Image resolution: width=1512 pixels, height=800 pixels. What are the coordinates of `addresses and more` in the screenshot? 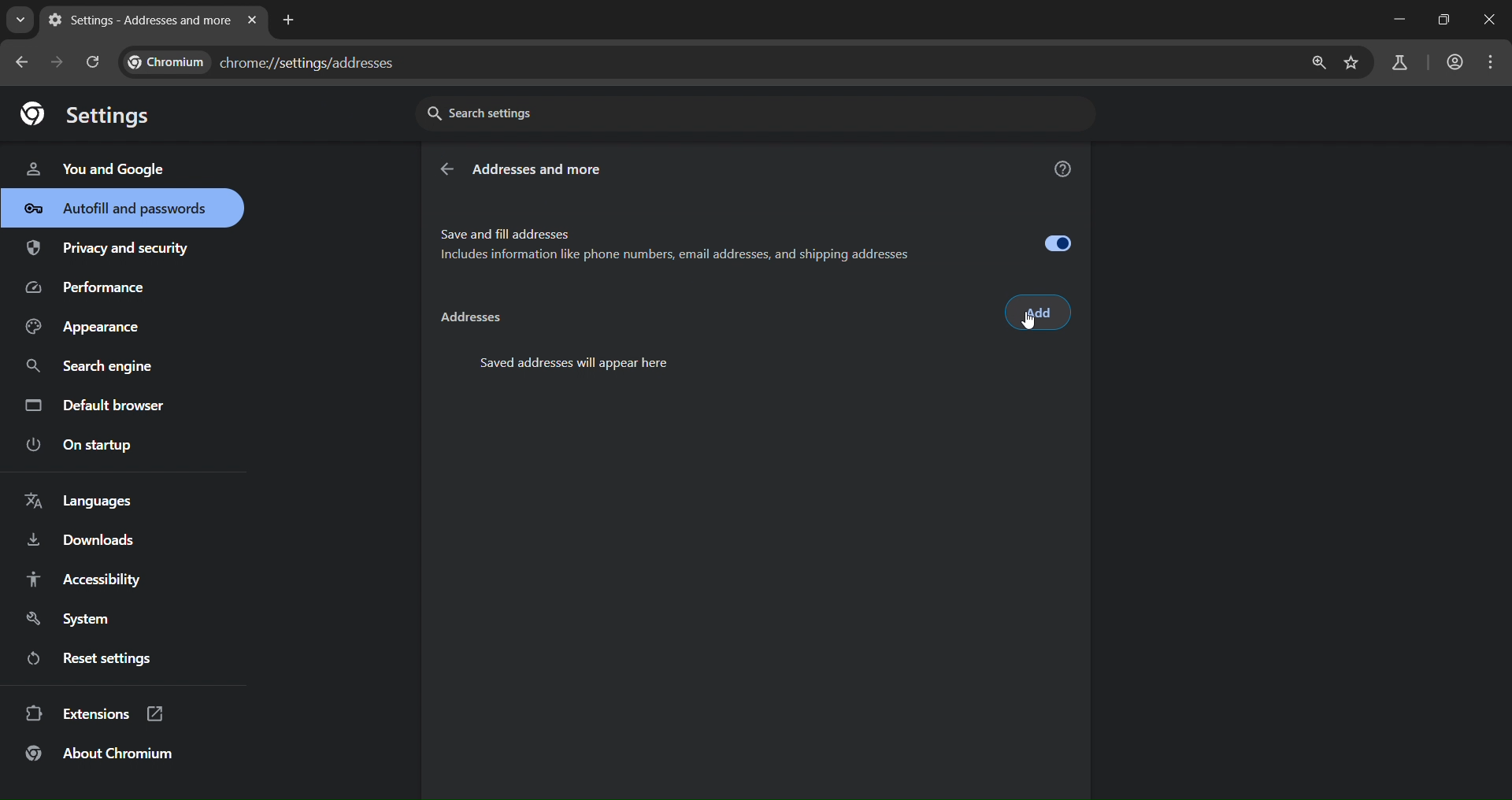 It's located at (550, 170).